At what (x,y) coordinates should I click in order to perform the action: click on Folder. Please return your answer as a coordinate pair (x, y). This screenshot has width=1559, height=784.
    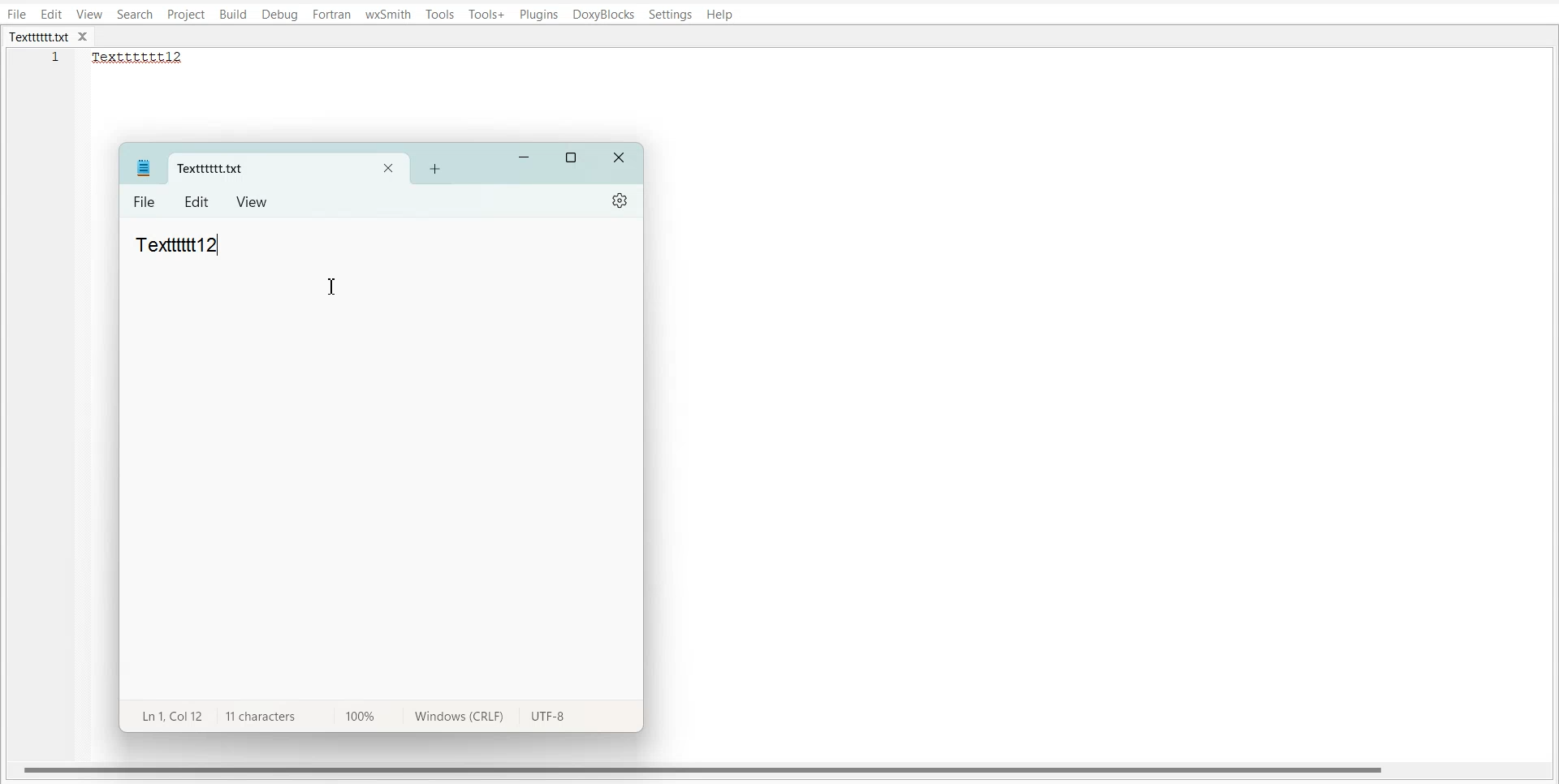
    Looking at the image, I should click on (261, 169).